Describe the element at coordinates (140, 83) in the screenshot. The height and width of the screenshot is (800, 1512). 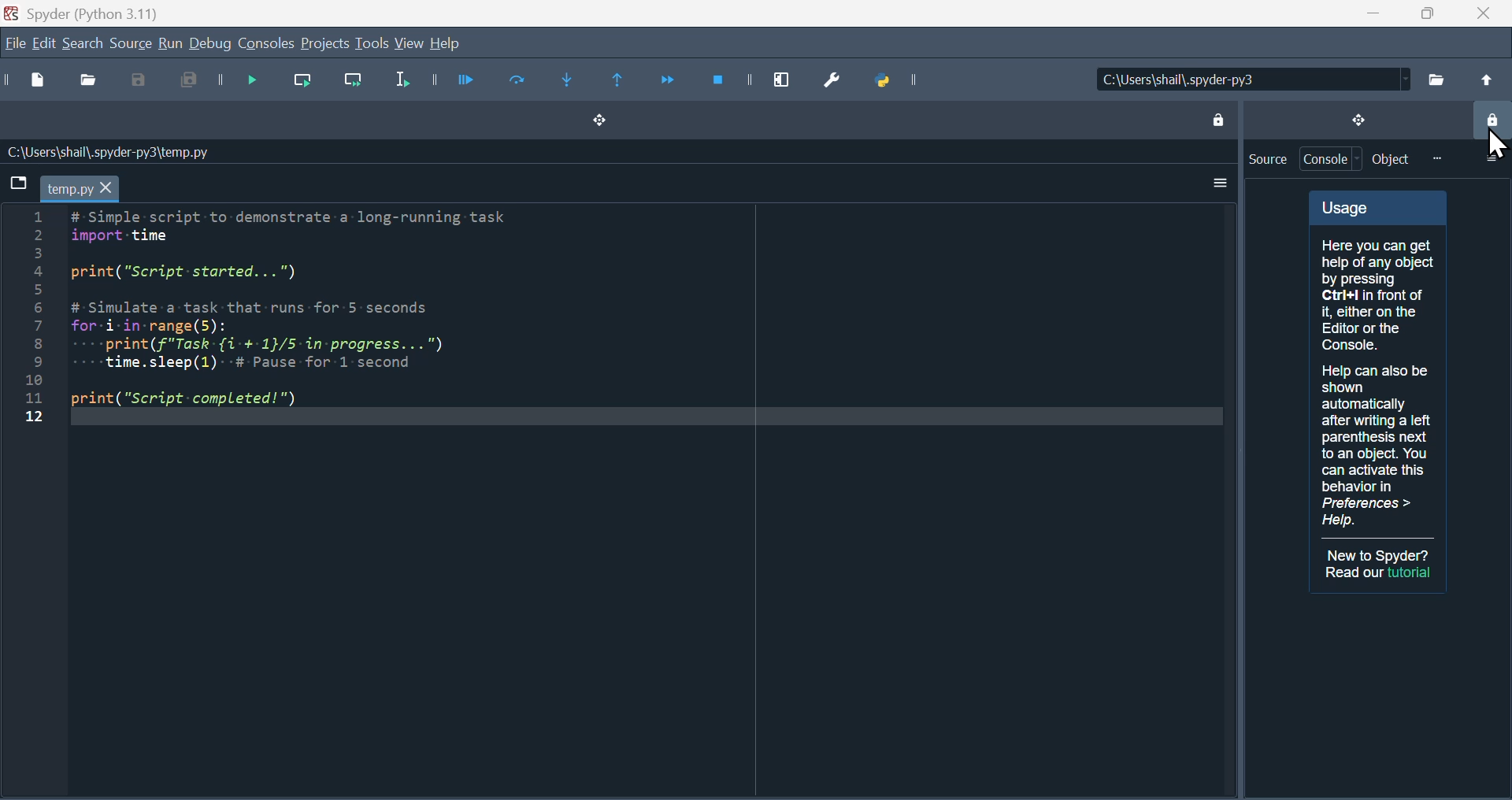
I see `Save as` at that location.